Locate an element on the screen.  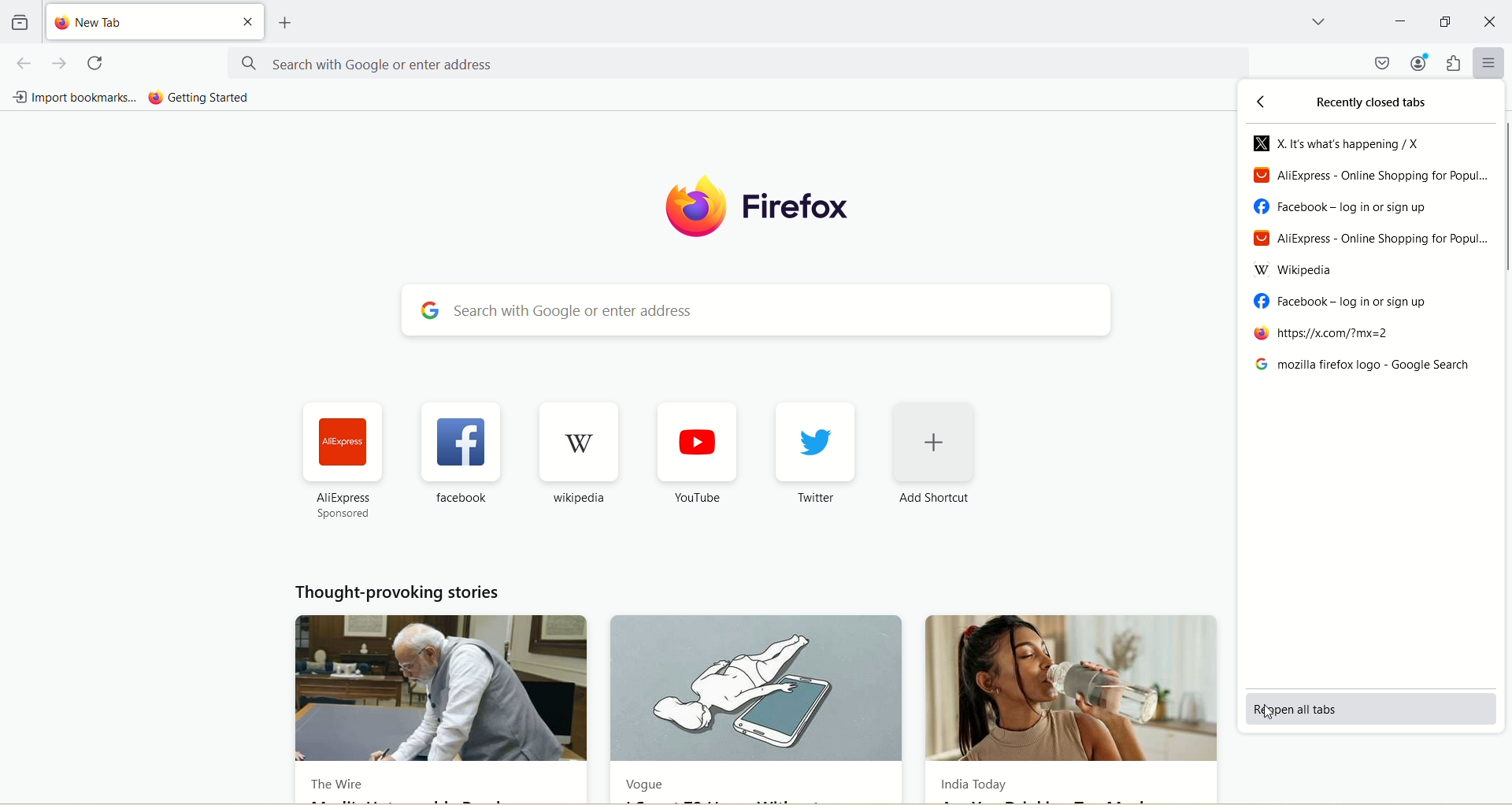
add shortcut is located at coordinates (933, 441).